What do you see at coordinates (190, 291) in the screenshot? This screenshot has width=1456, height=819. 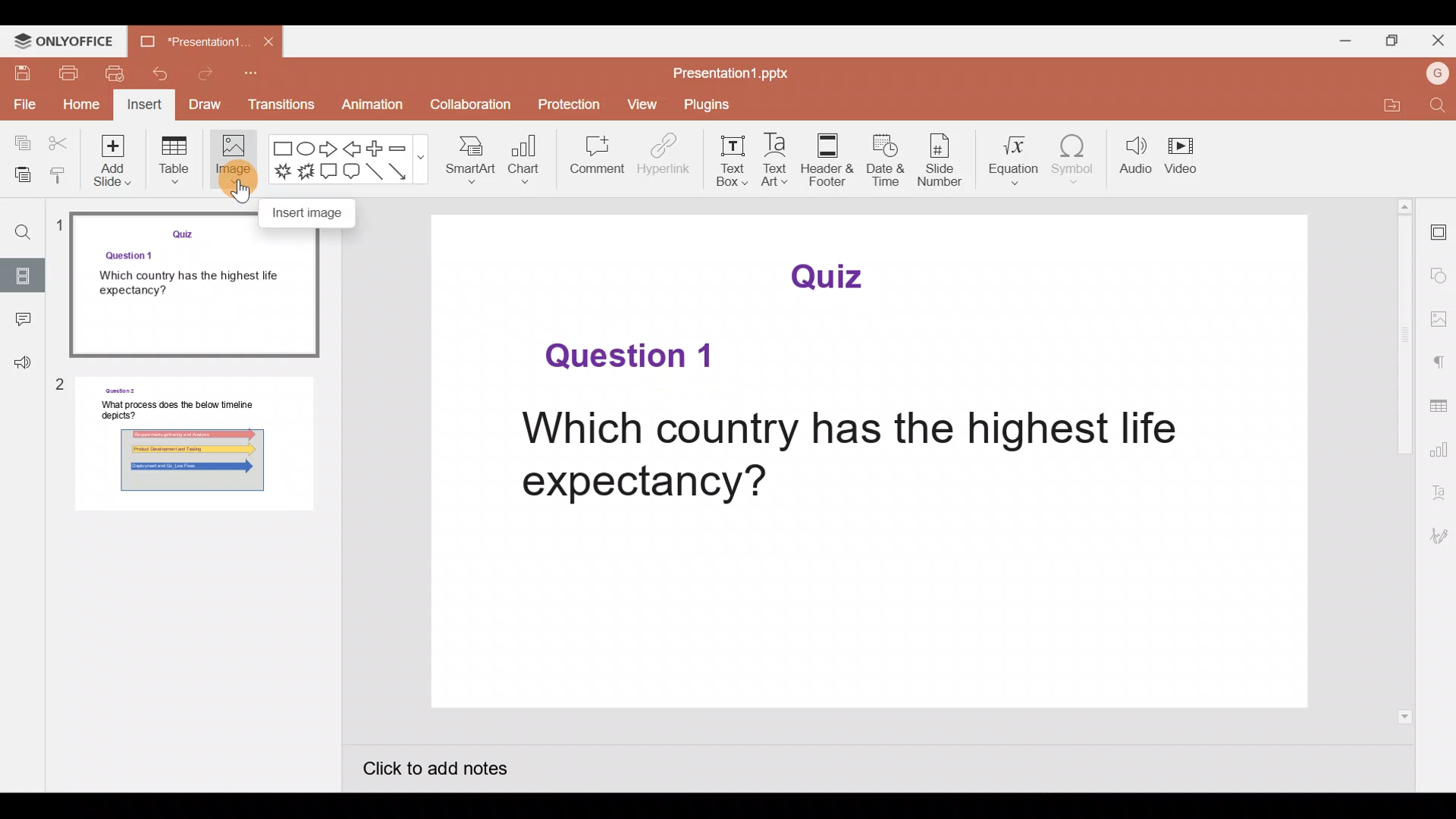 I see `Slide 1 preview` at bounding box center [190, 291].